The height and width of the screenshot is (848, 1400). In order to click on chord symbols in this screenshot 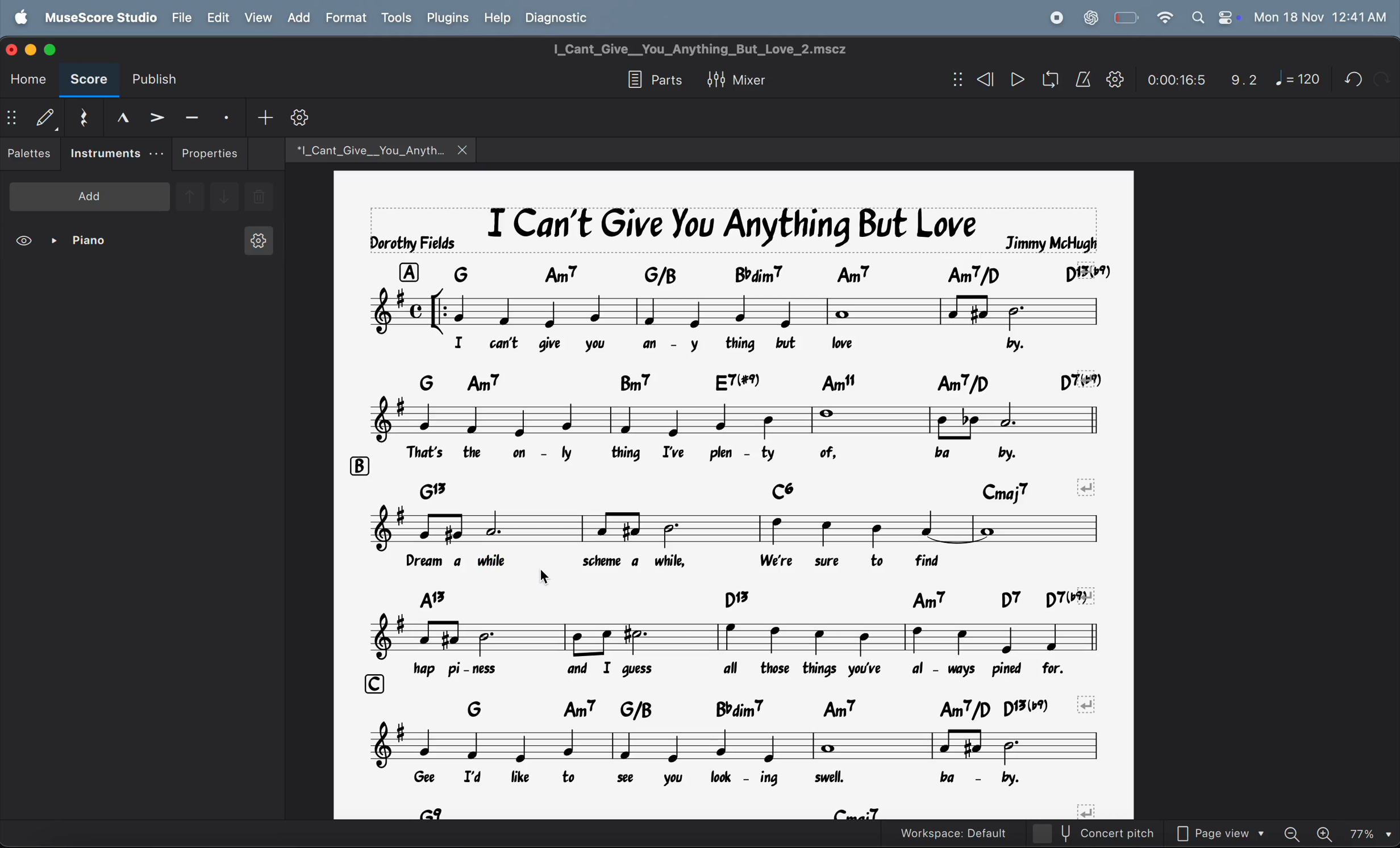, I will do `click(755, 490)`.